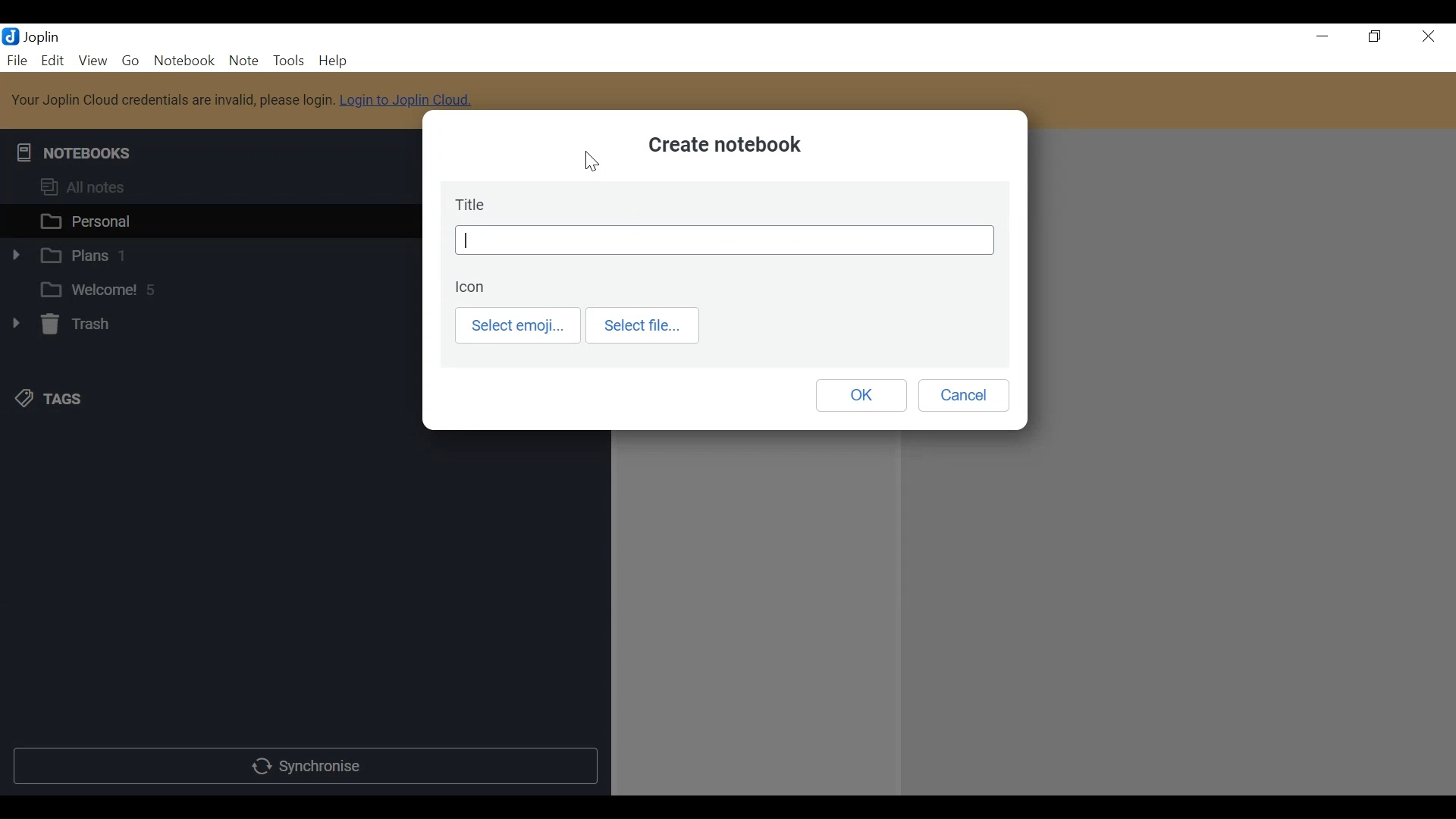 Image resolution: width=1456 pixels, height=819 pixels. Describe the element at coordinates (199, 288) in the screenshot. I see `Welcome! 5 ` at that location.